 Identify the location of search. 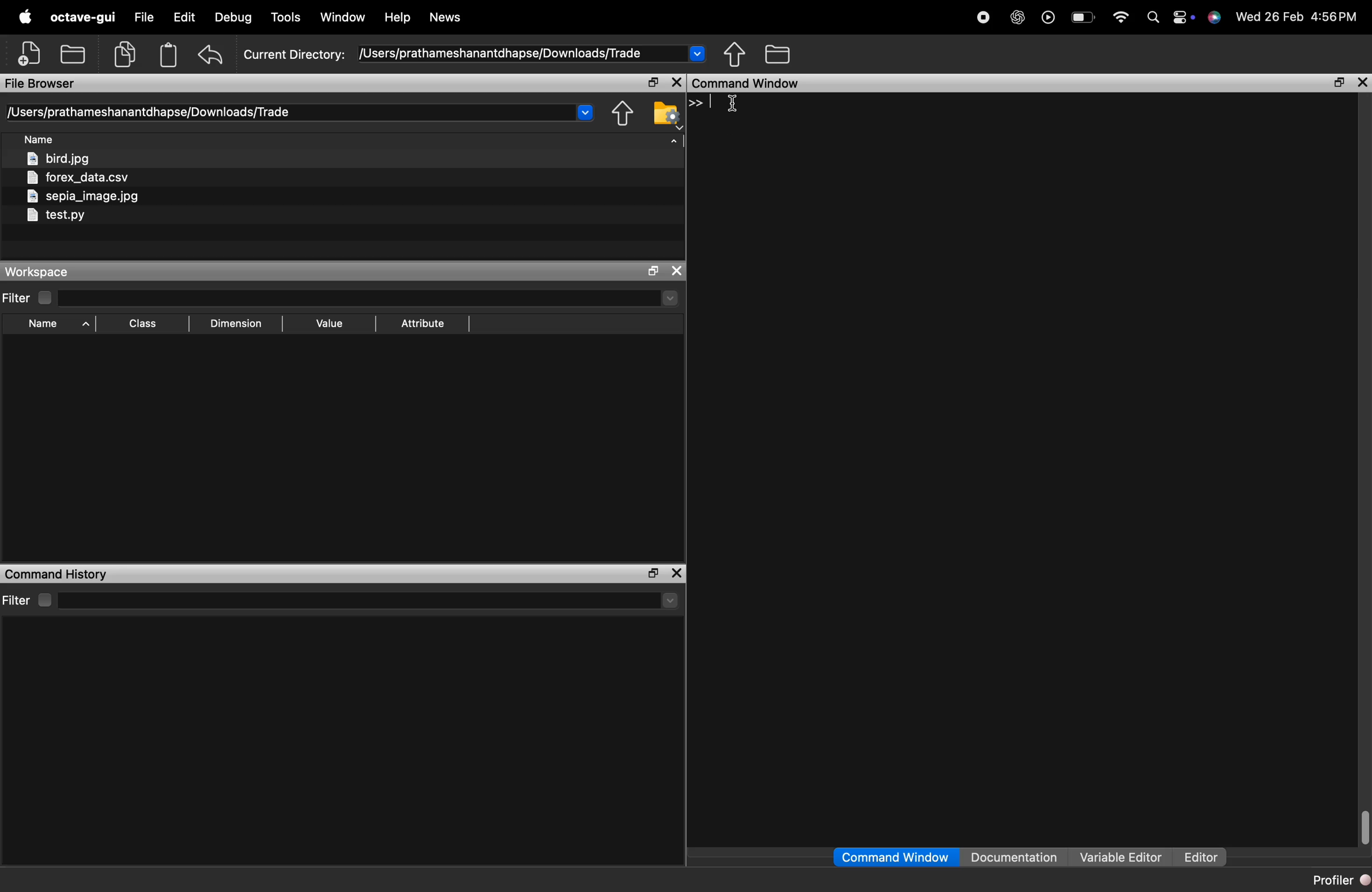
(1154, 18).